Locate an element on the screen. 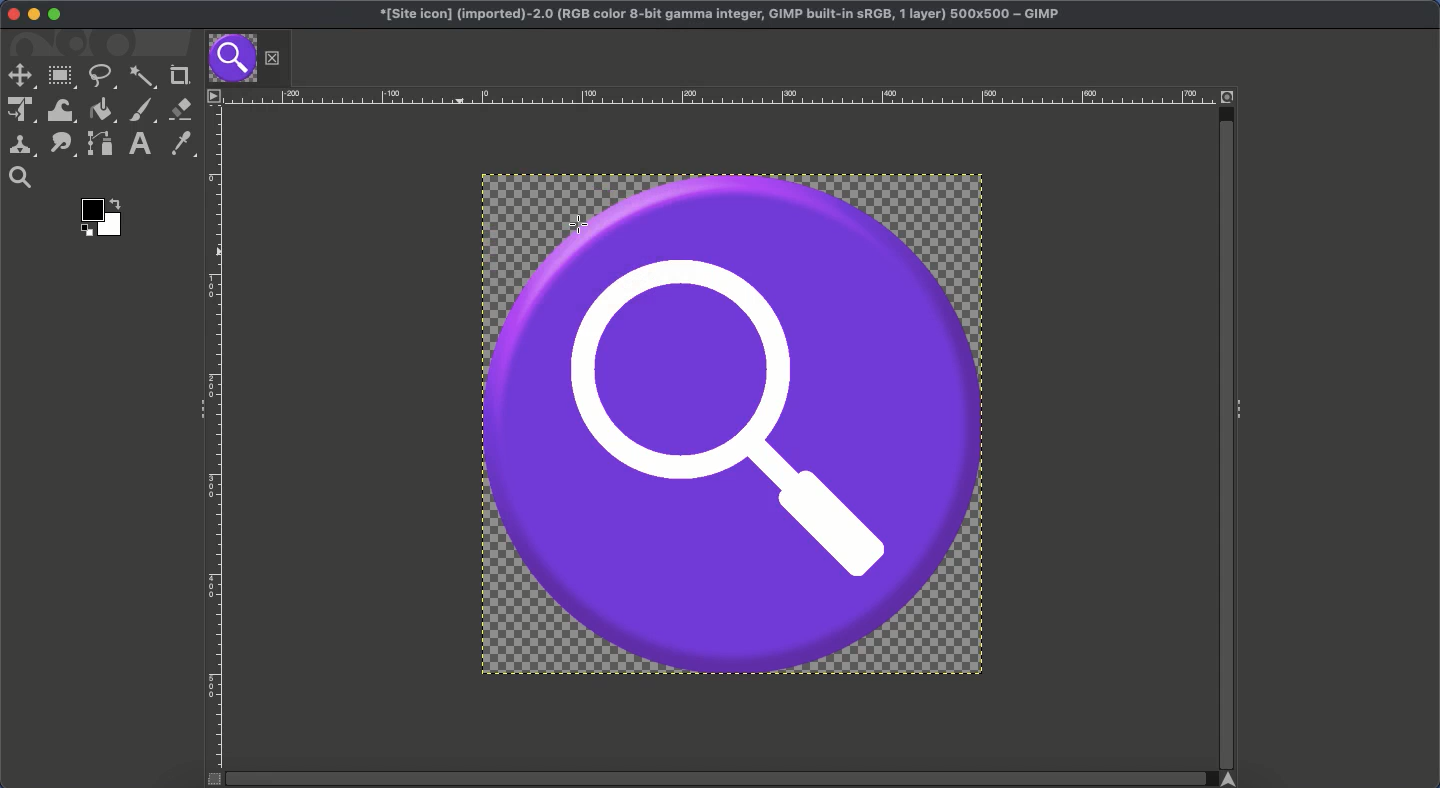 Image resolution: width=1440 pixels, height=788 pixels. Collapse is located at coordinates (1245, 411).